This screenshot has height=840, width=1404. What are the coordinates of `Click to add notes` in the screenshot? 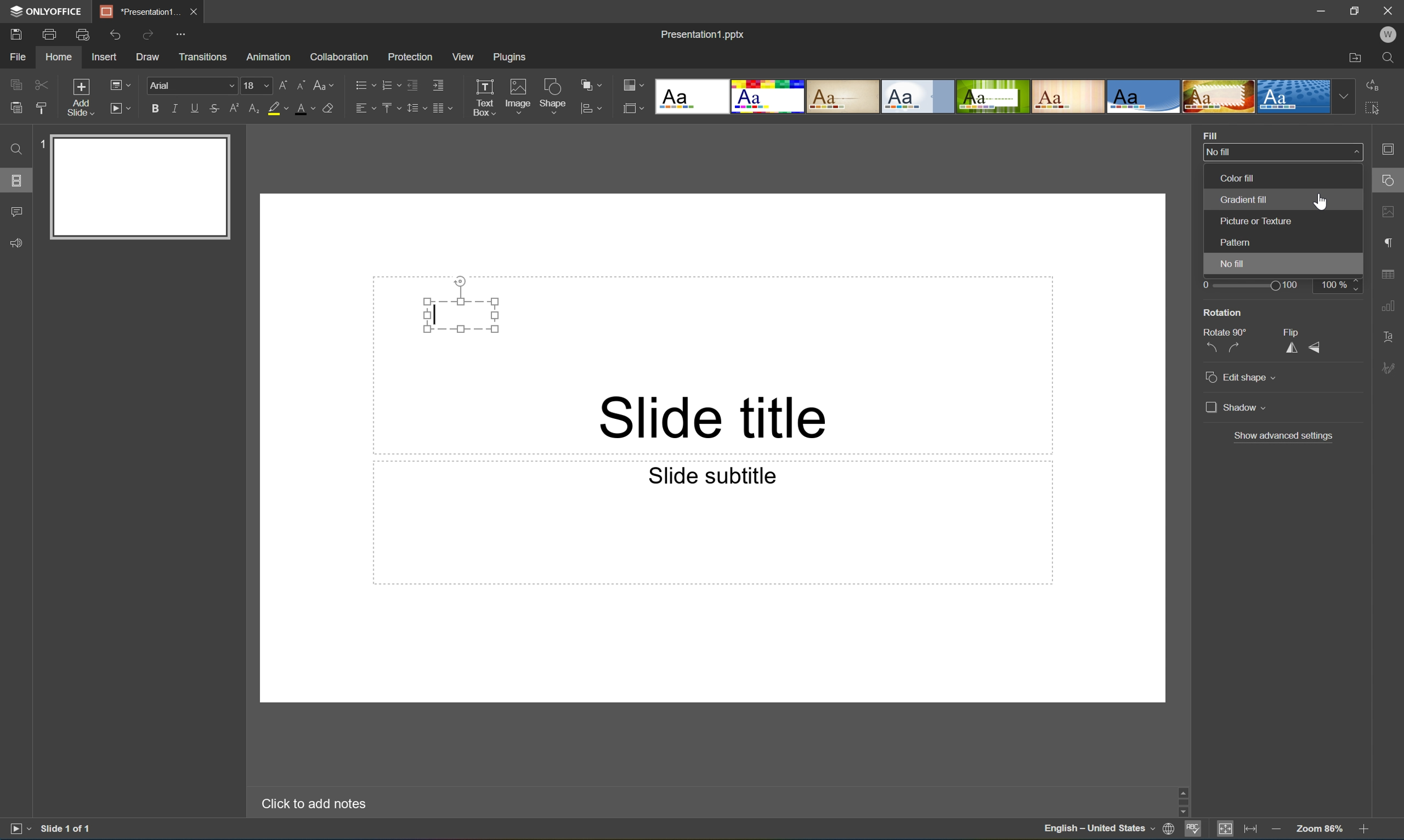 It's located at (311, 802).